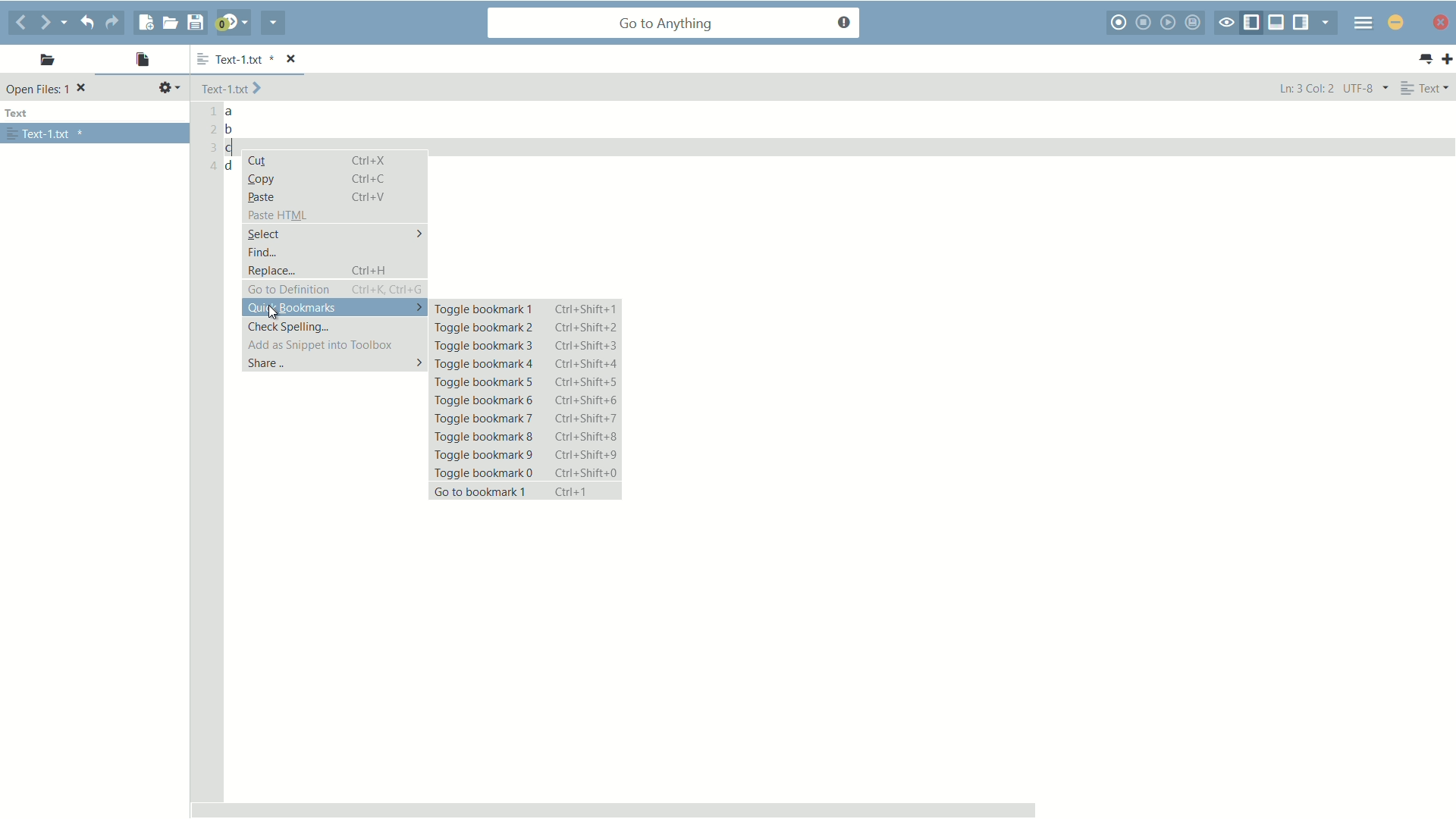  What do you see at coordinates (46, 24) in the screenshot?
I see `go forward` at bounding box center [46, 24].